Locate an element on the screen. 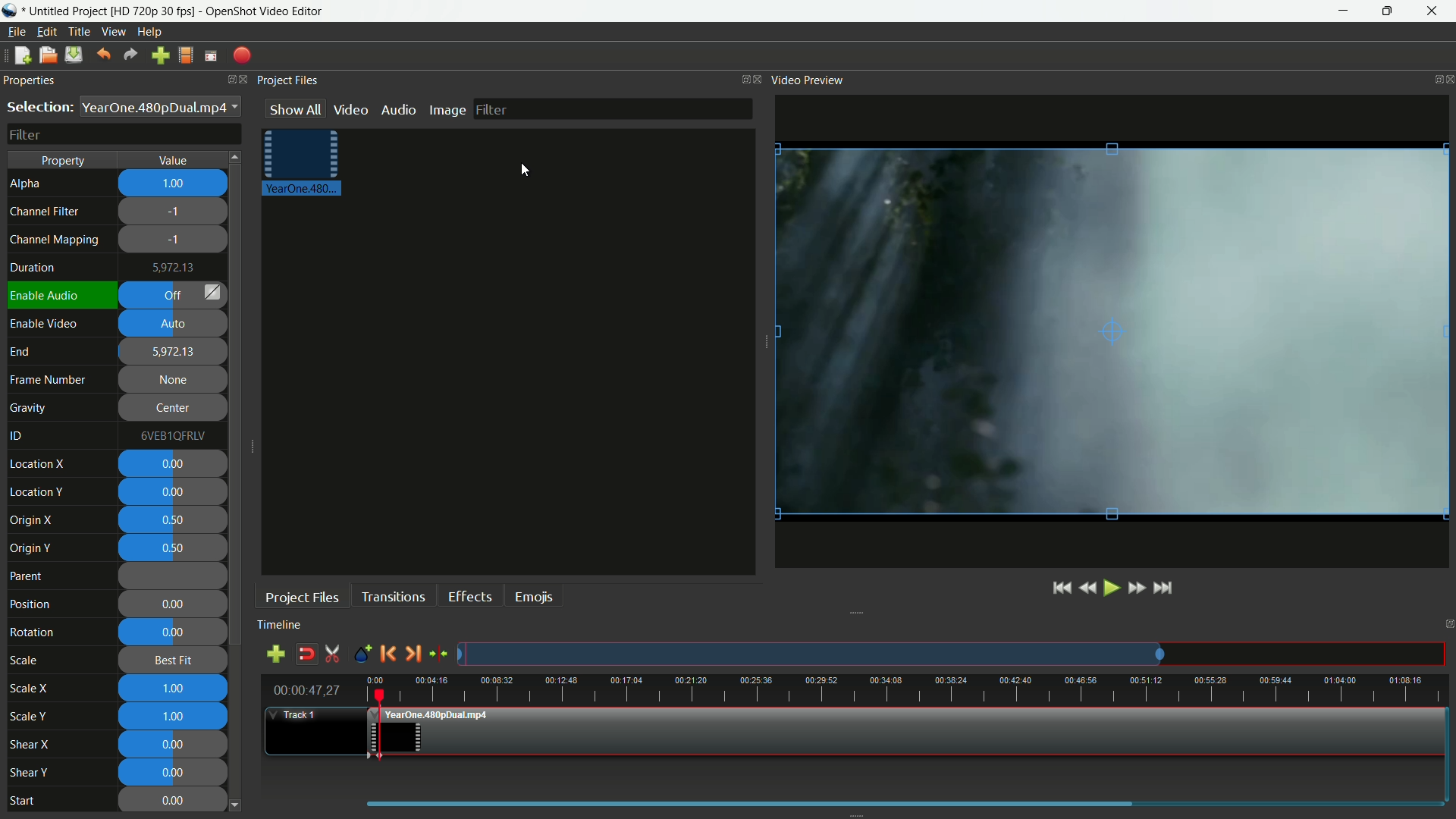 The height and width of the screenshot is (819, 1456). 0.00 is located at coordinates (177, 770).